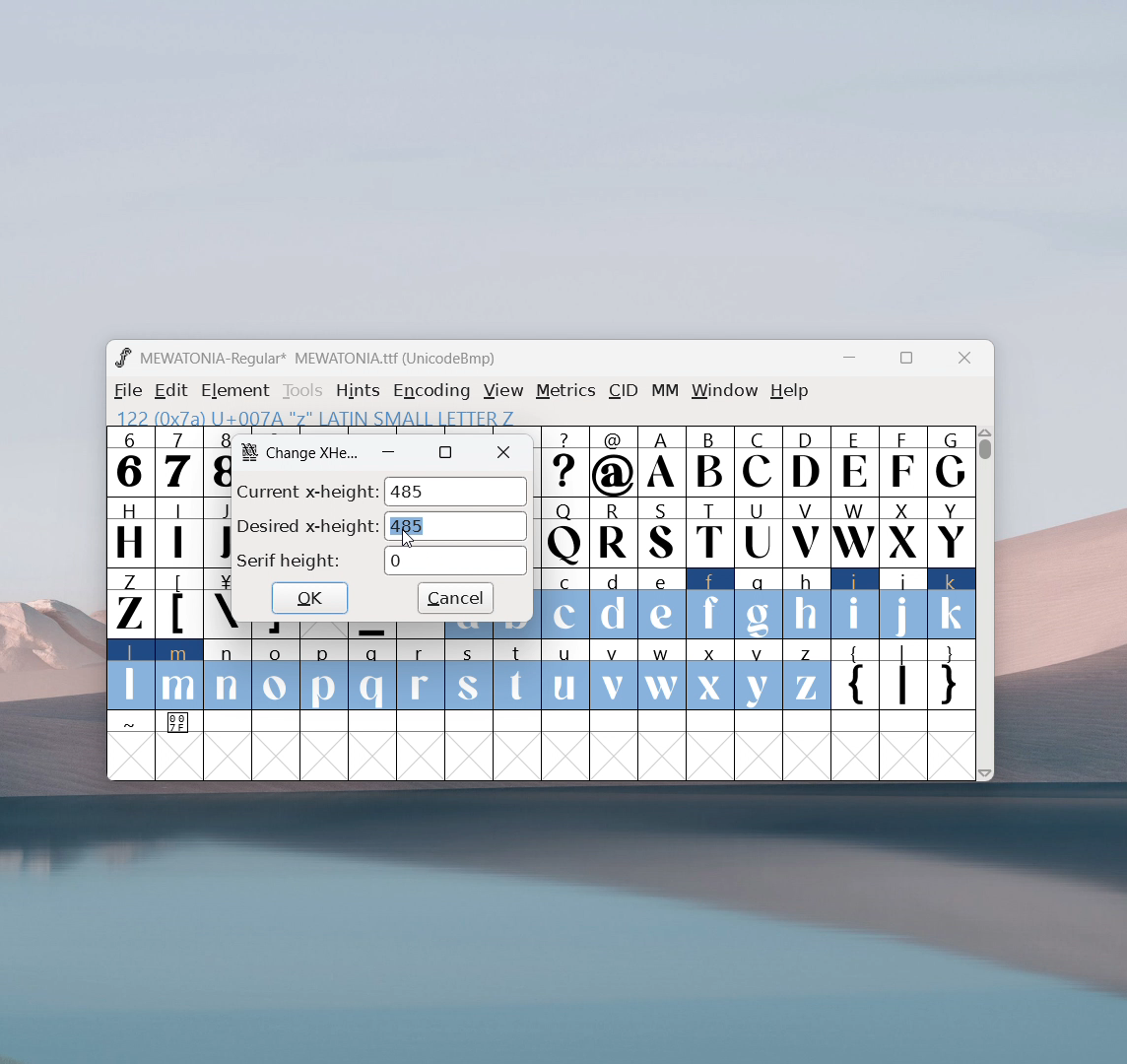  I want to click on c, so click(565, 604).